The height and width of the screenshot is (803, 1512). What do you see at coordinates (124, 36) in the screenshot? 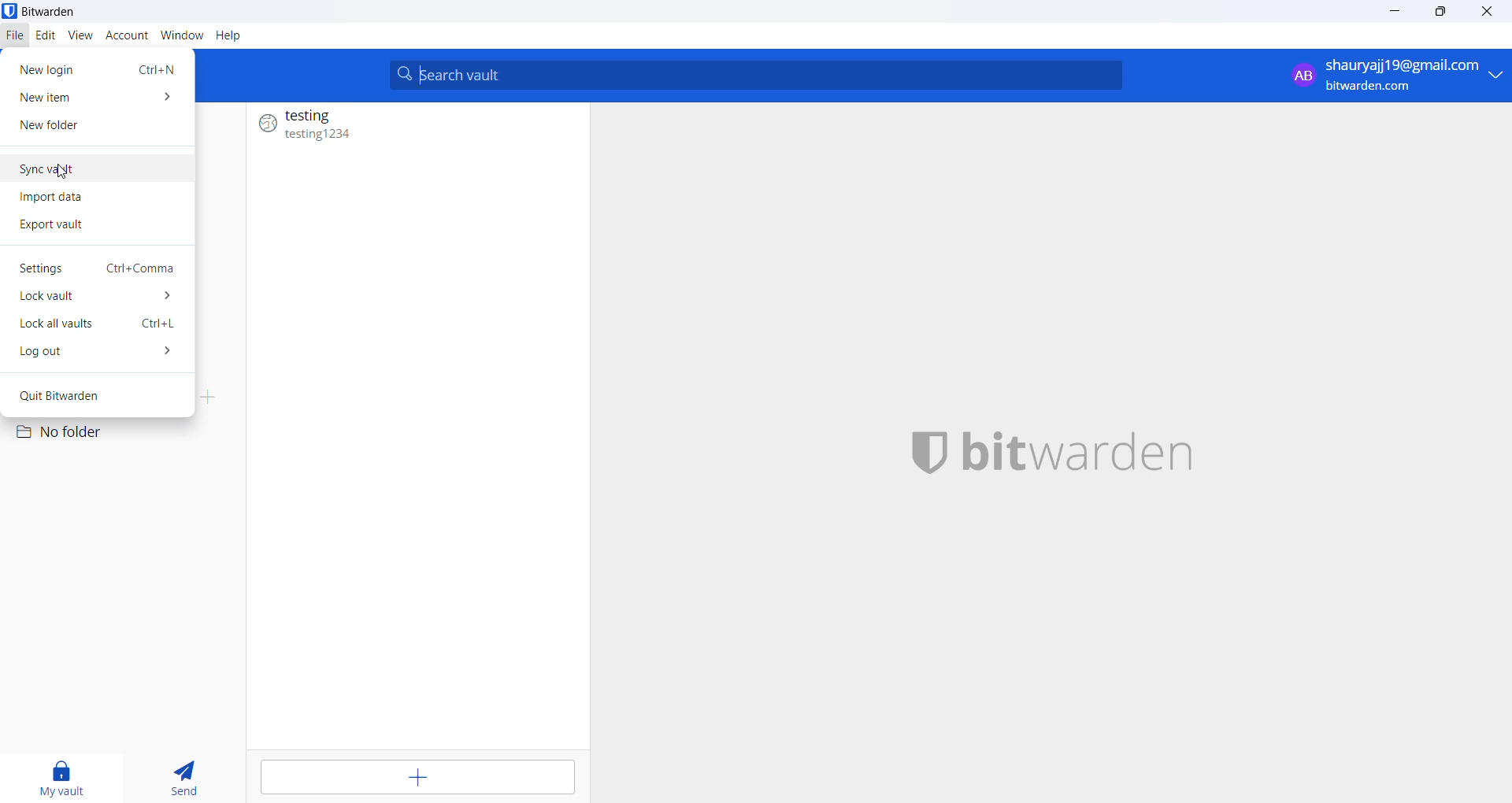
I see `account` at bounding box center [124, 36].